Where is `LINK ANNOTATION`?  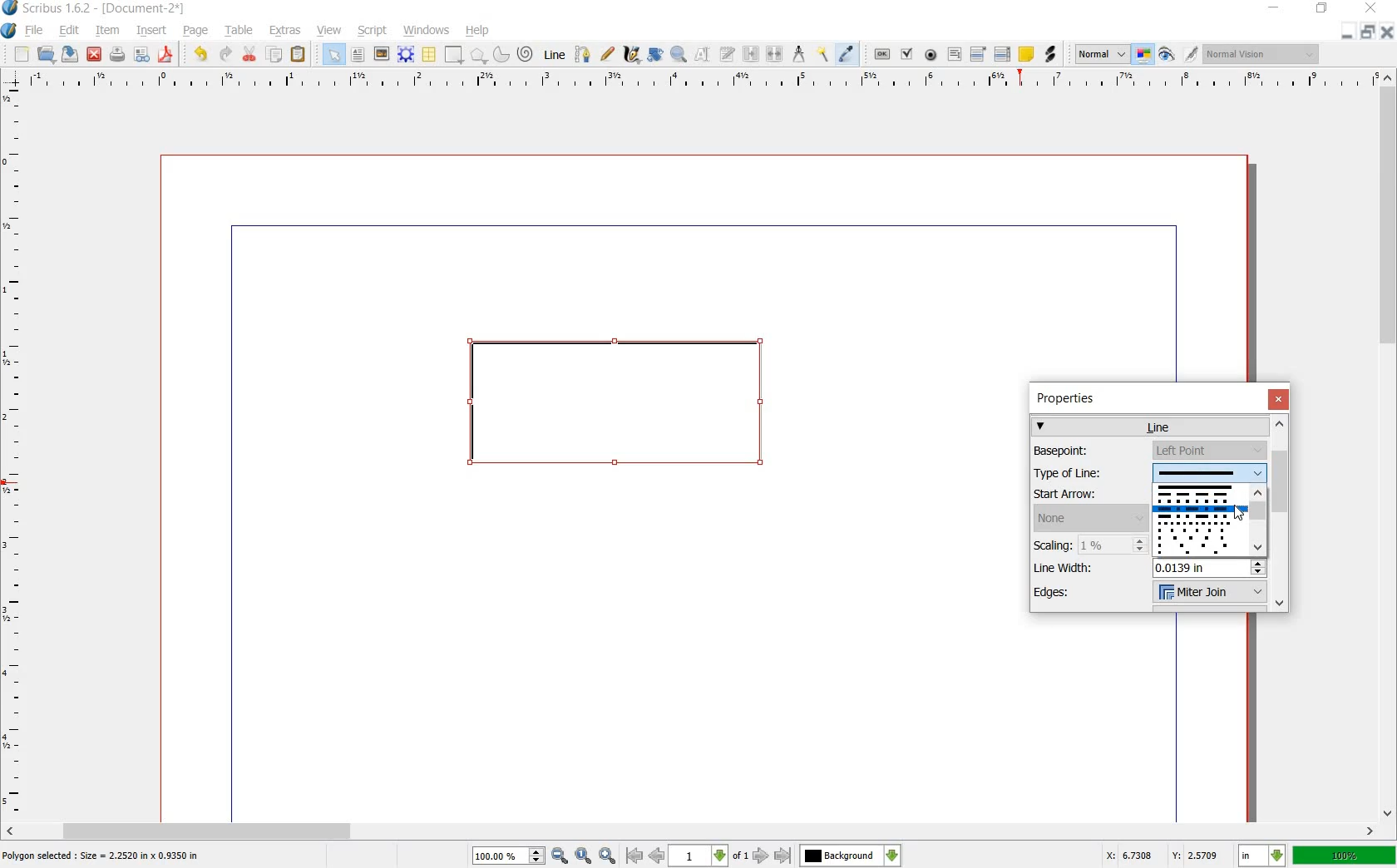 LINK ANNOTATION is located at coordinates (1051, 55).